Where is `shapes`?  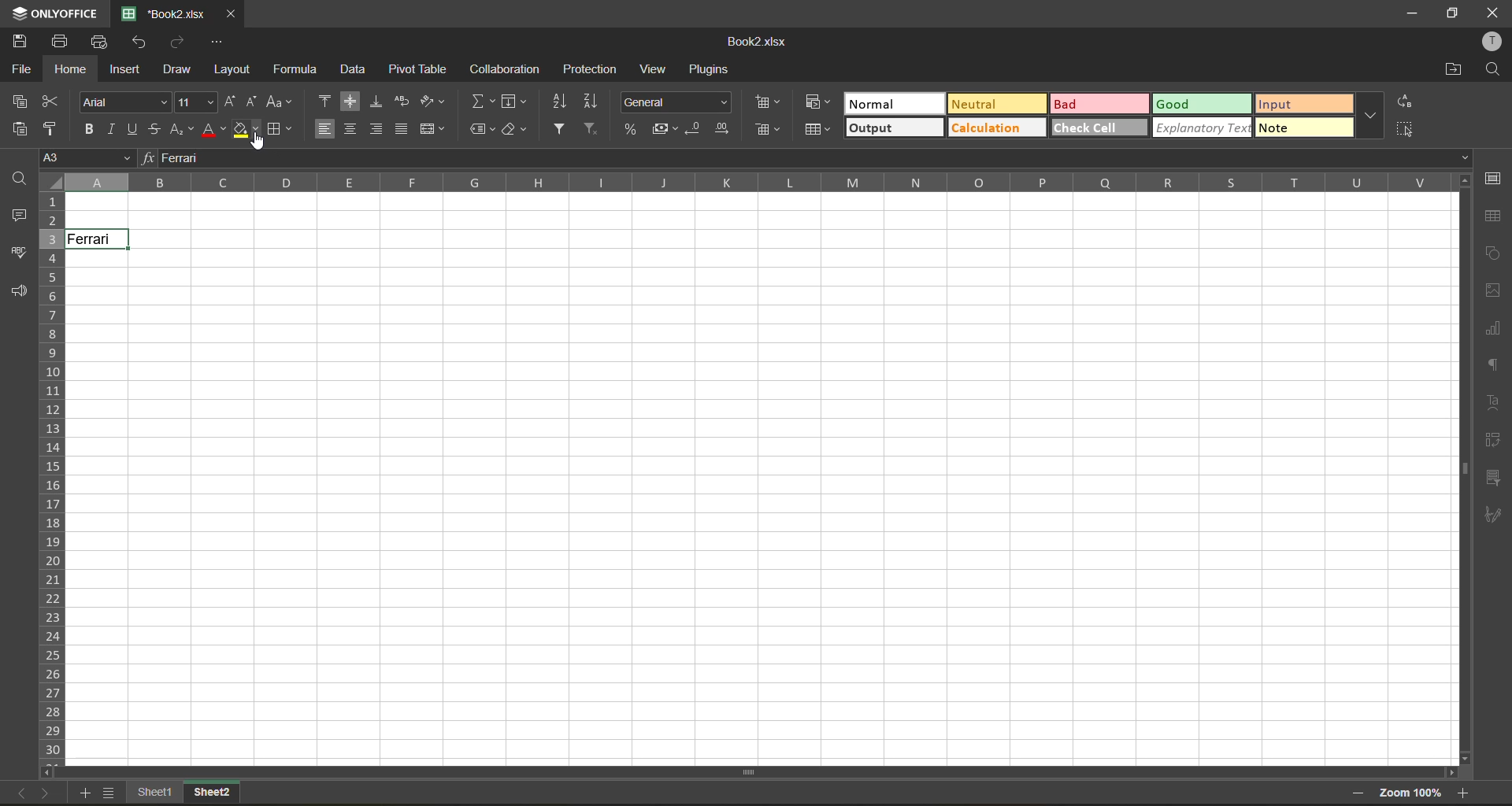
shapes is located at coordinates (1494, 253).